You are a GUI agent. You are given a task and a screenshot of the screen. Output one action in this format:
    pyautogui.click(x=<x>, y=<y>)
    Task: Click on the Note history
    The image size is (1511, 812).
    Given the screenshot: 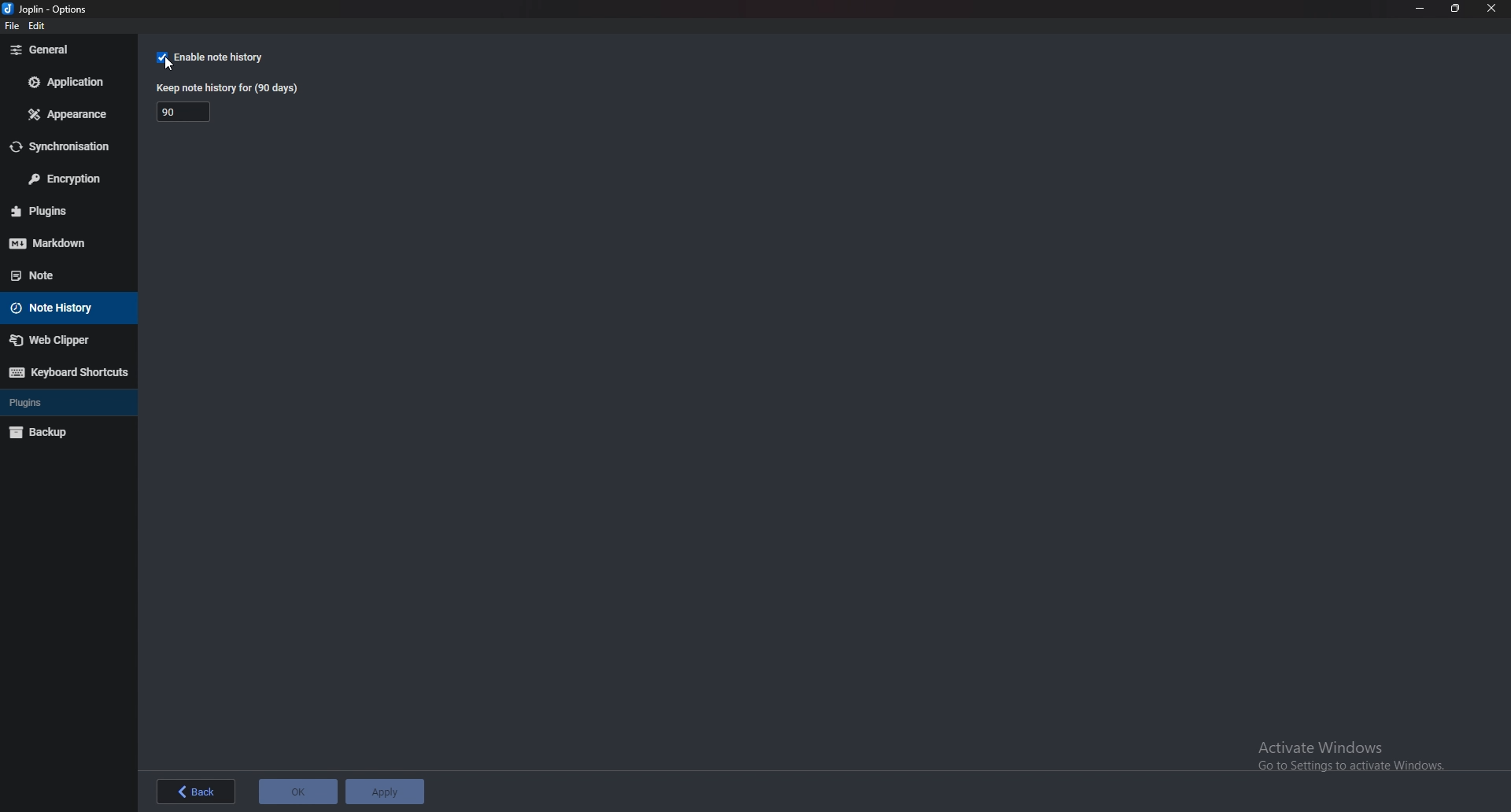 What is the action you would take?
    pyautogui.click(x=69, y=307)
    